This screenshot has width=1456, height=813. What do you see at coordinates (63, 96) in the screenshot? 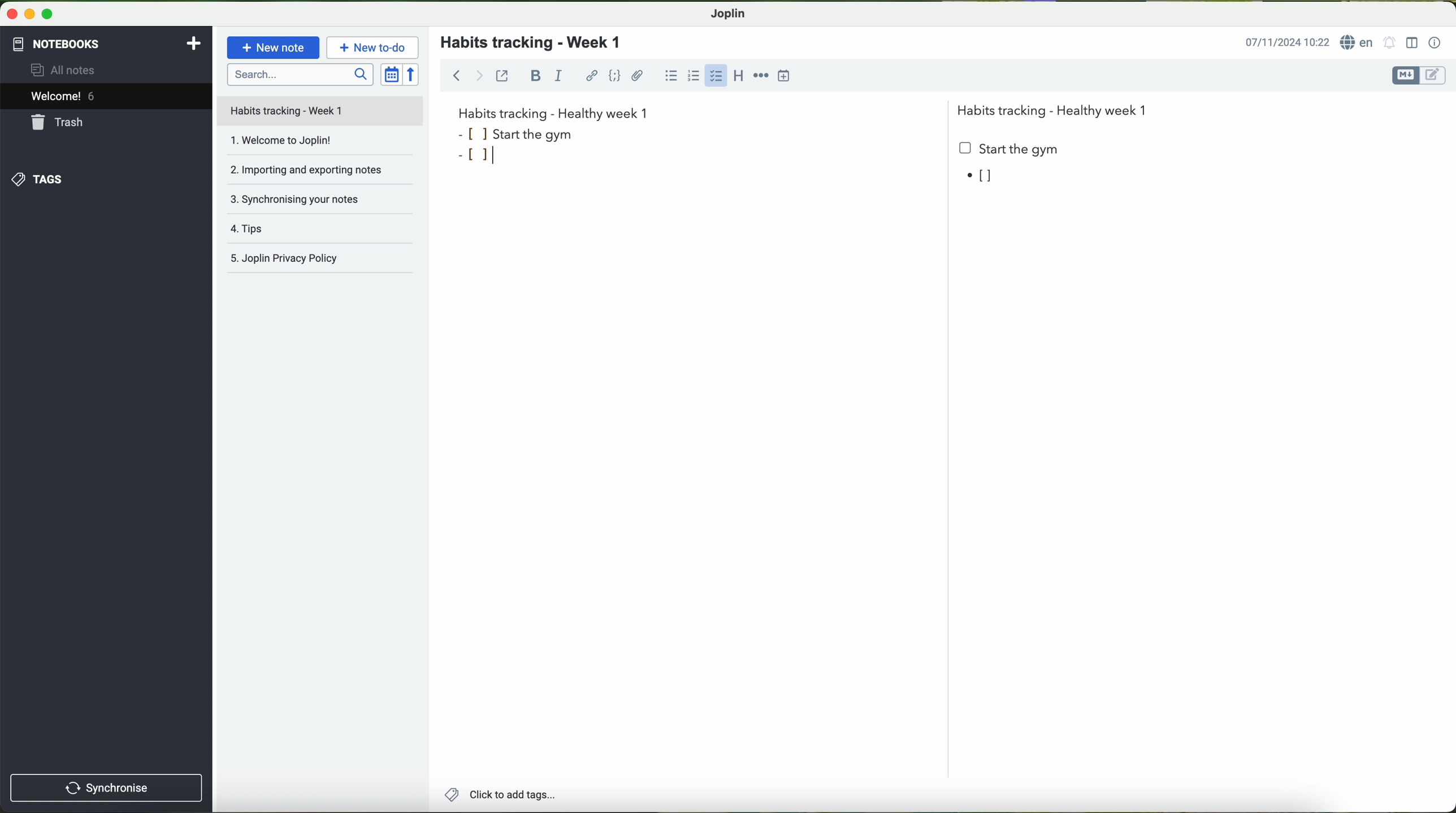
I see `welcome 5` at bounding box center [63, 96].